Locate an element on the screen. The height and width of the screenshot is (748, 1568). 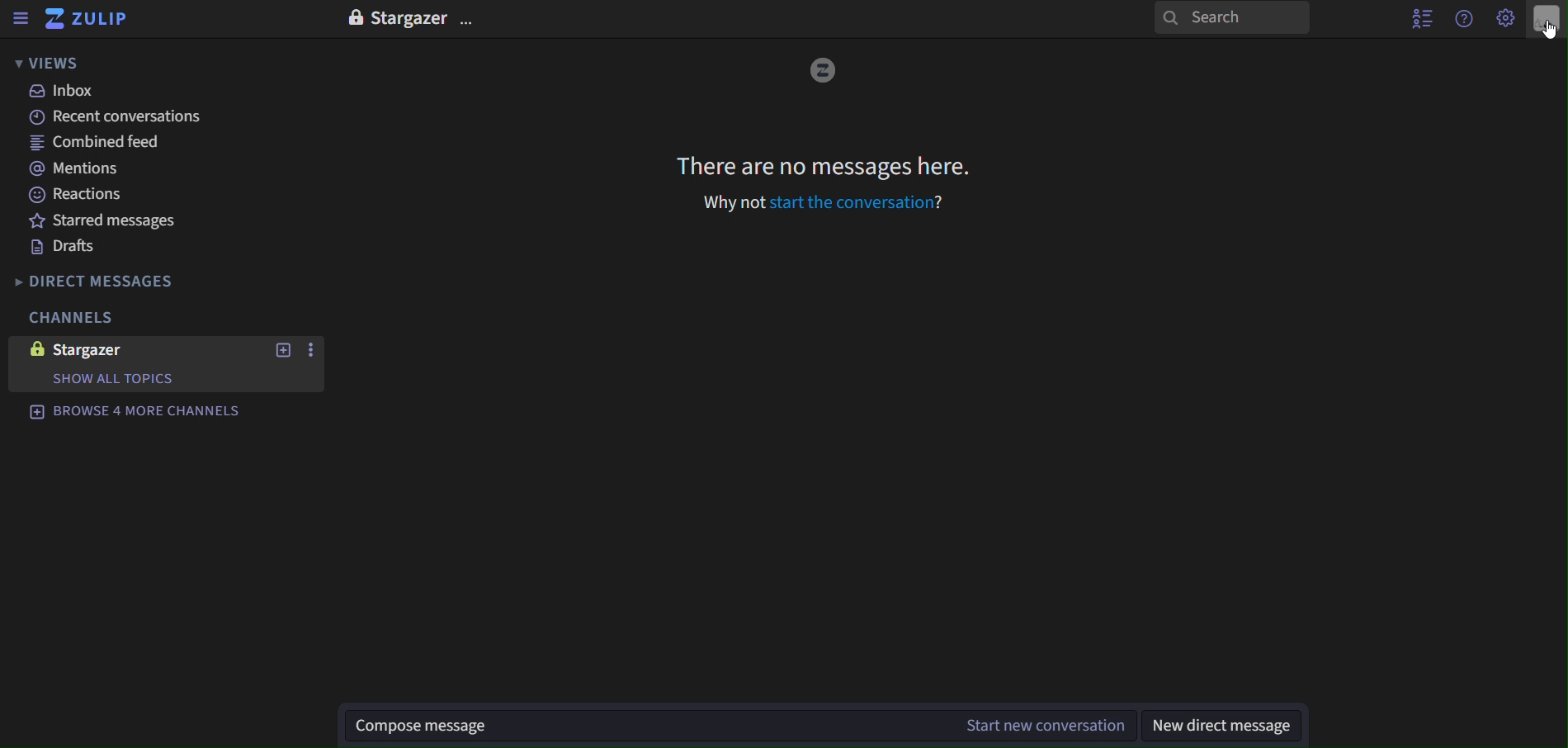
start the conversation? is located at coordinates (851, 203).